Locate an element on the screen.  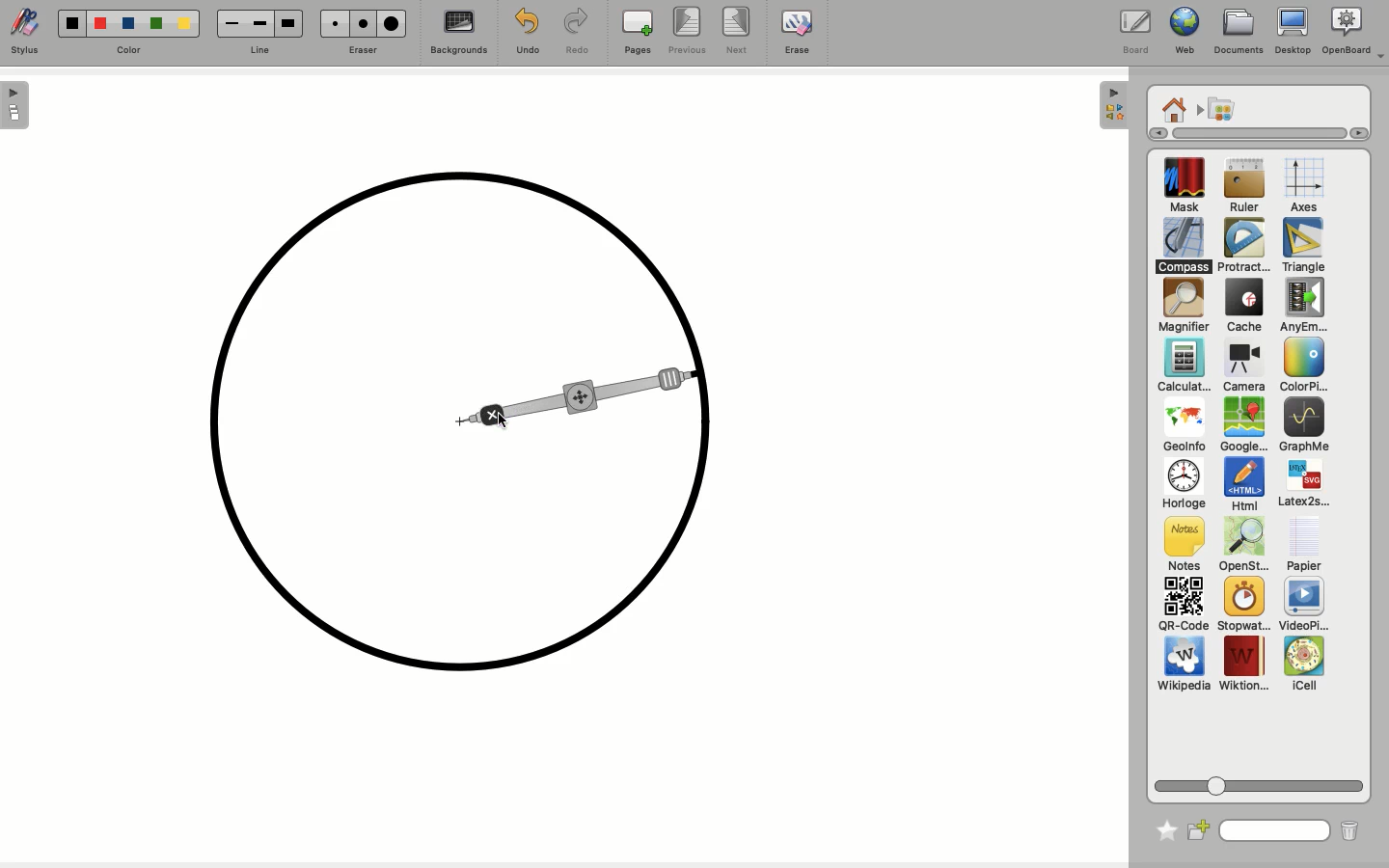
Latex2s is located at coordinates (1304, 484).